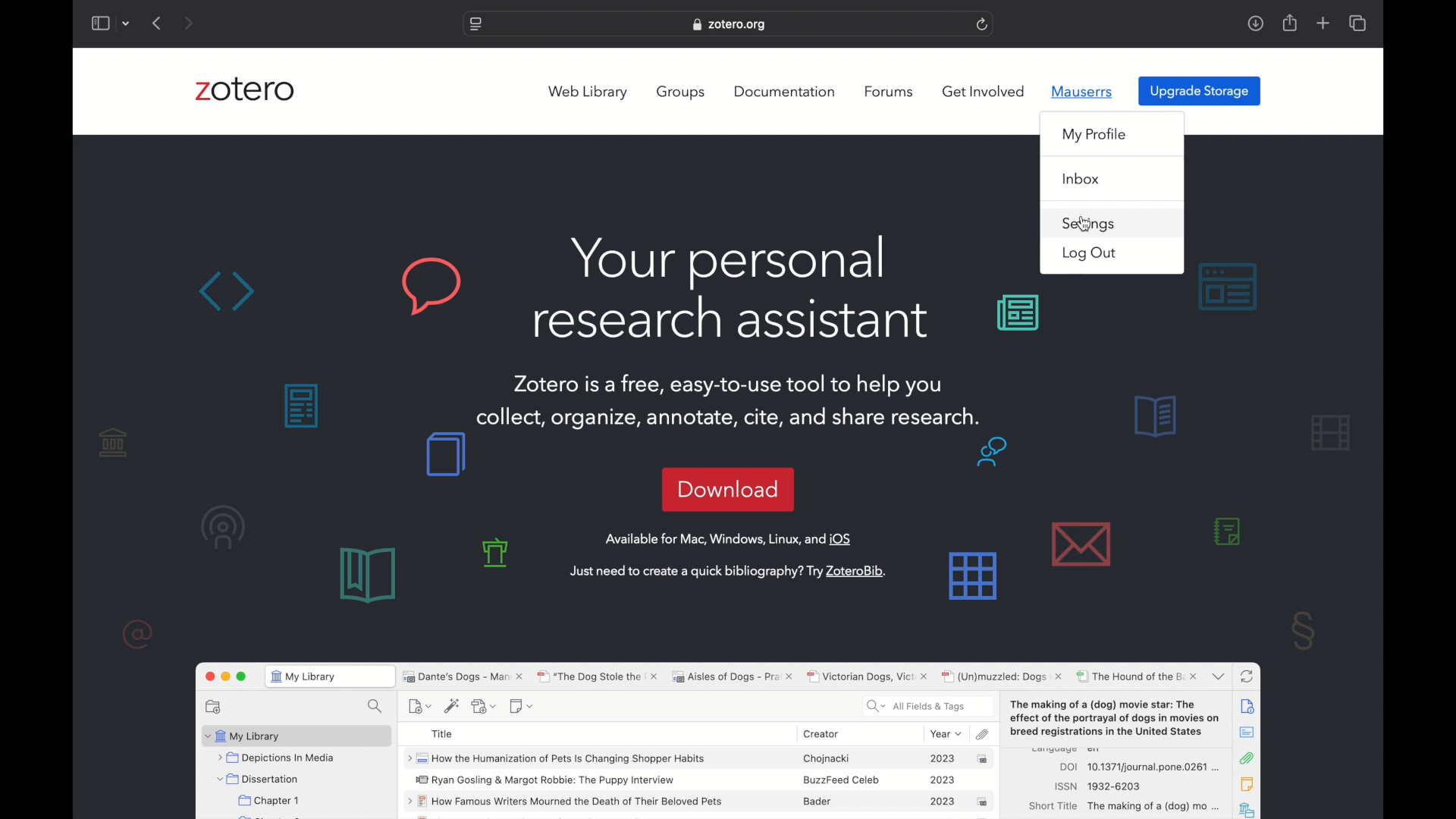  Describe the element at coordinates (729, 737) in the screenshot. I see `zotero software preview` at that location.